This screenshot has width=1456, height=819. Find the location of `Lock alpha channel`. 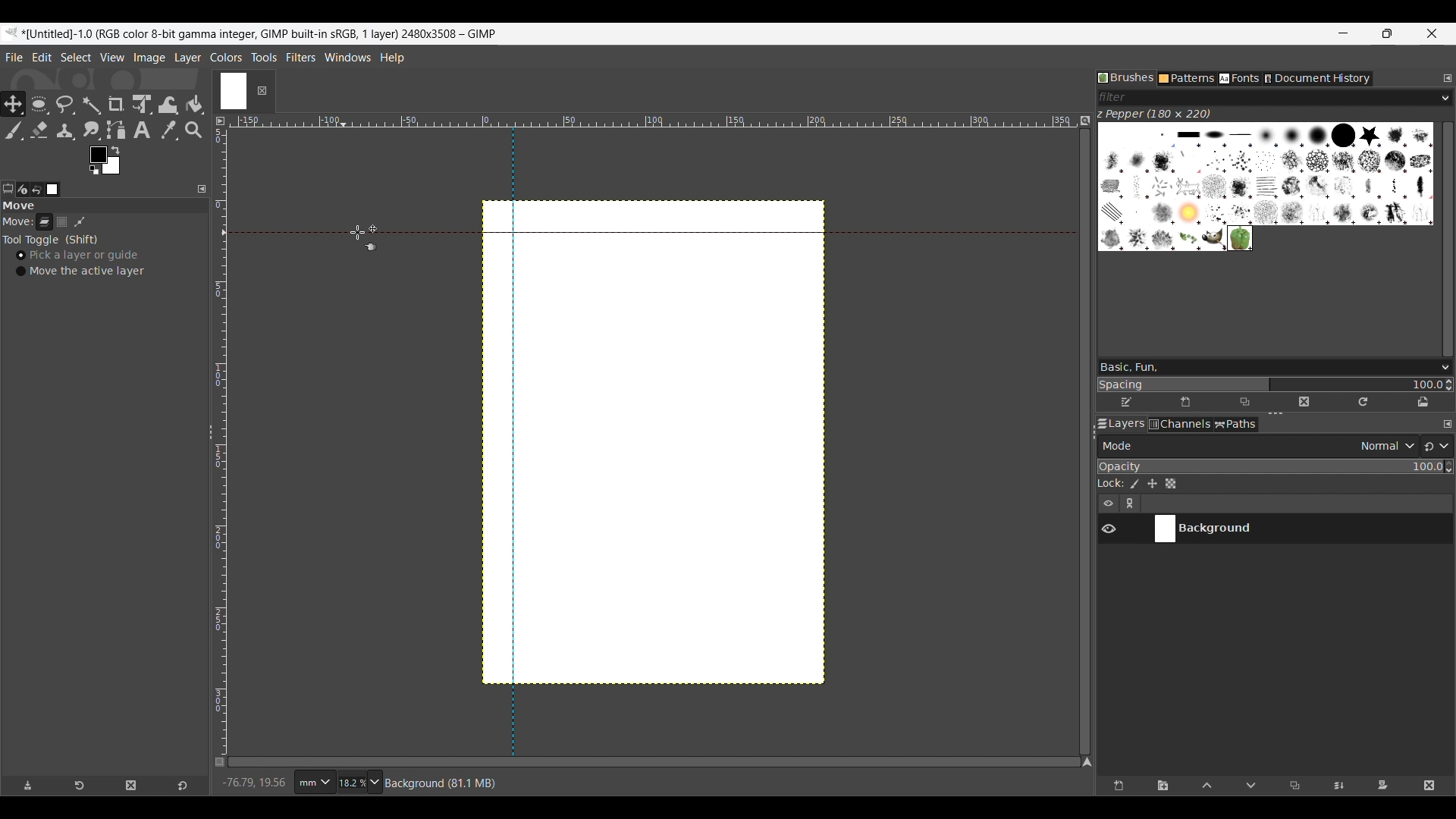

Lock alpha channel is located at coordinates (1170, 484).